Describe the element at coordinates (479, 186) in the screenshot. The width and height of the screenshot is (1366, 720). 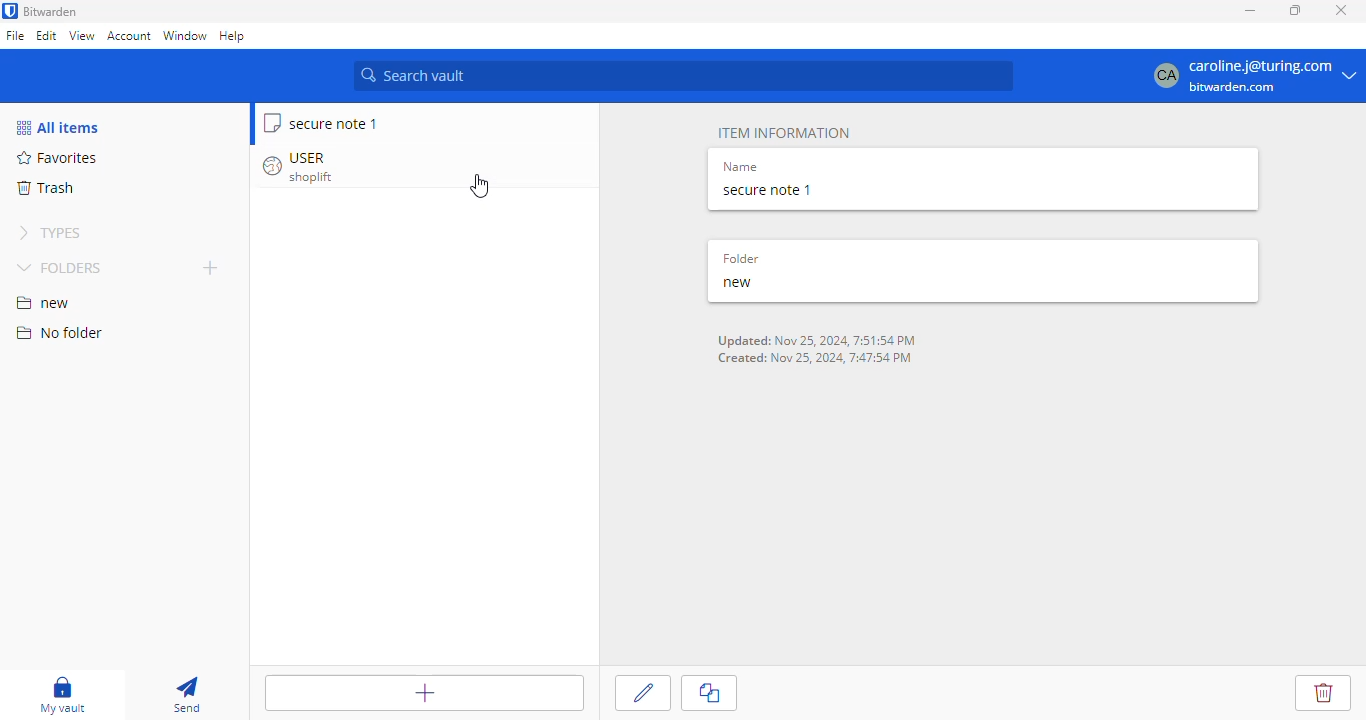
I see `cursor` at that location.